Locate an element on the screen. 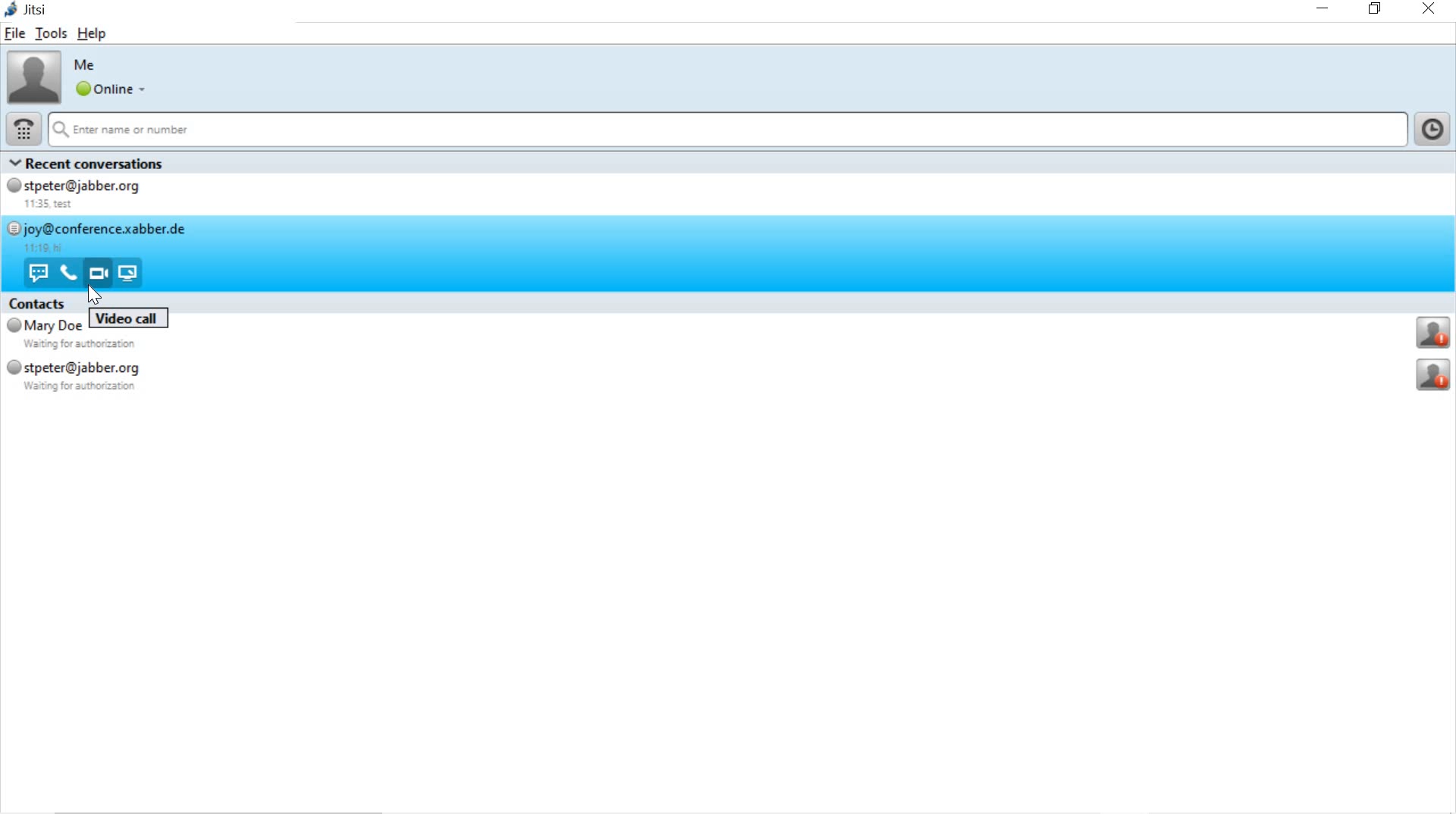 This screenshot has height=814, width=1456. tools is located at coordinates (49, 33).